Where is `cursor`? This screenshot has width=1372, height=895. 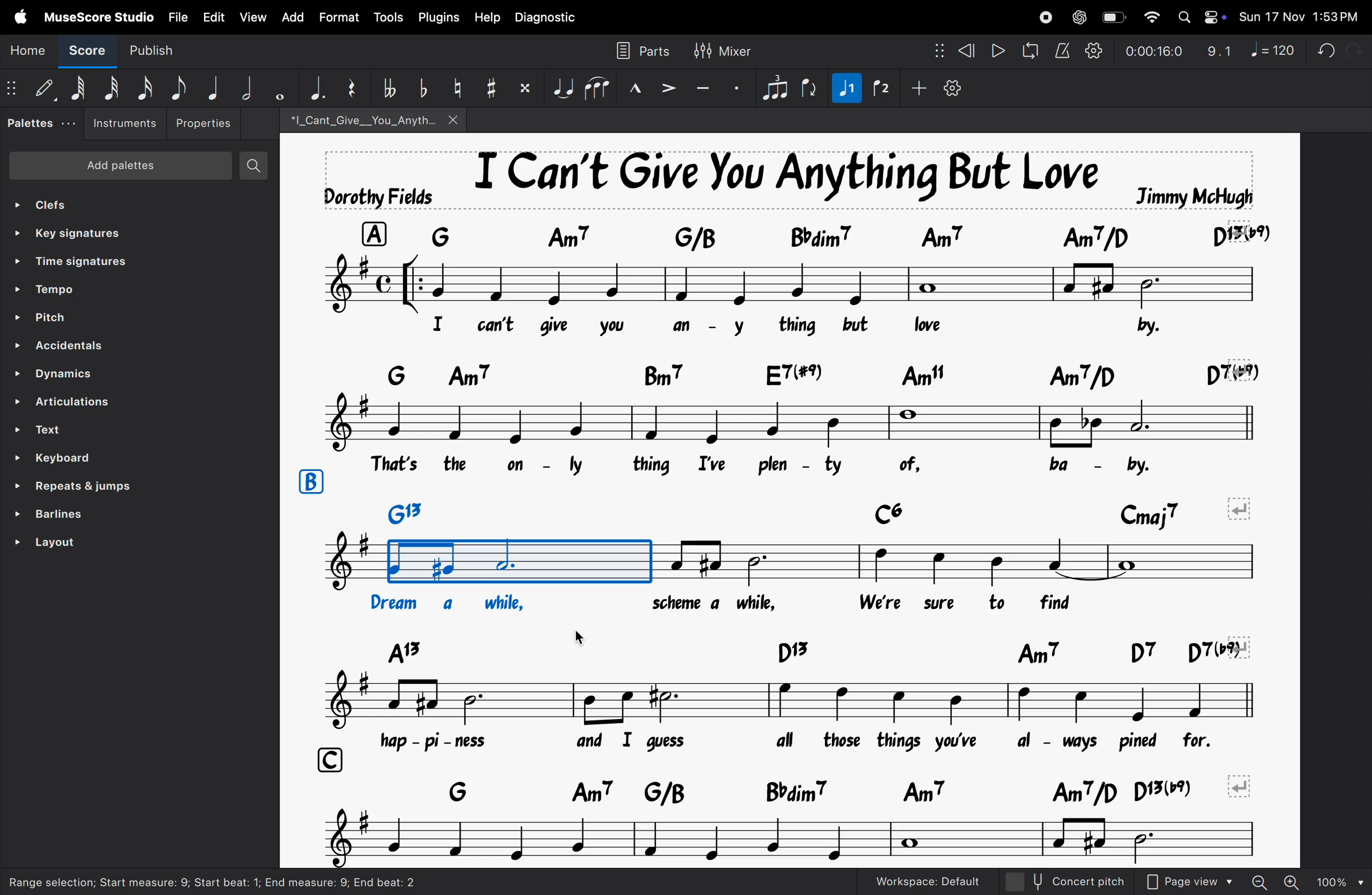 cursor is located at coordinates (582, 637).